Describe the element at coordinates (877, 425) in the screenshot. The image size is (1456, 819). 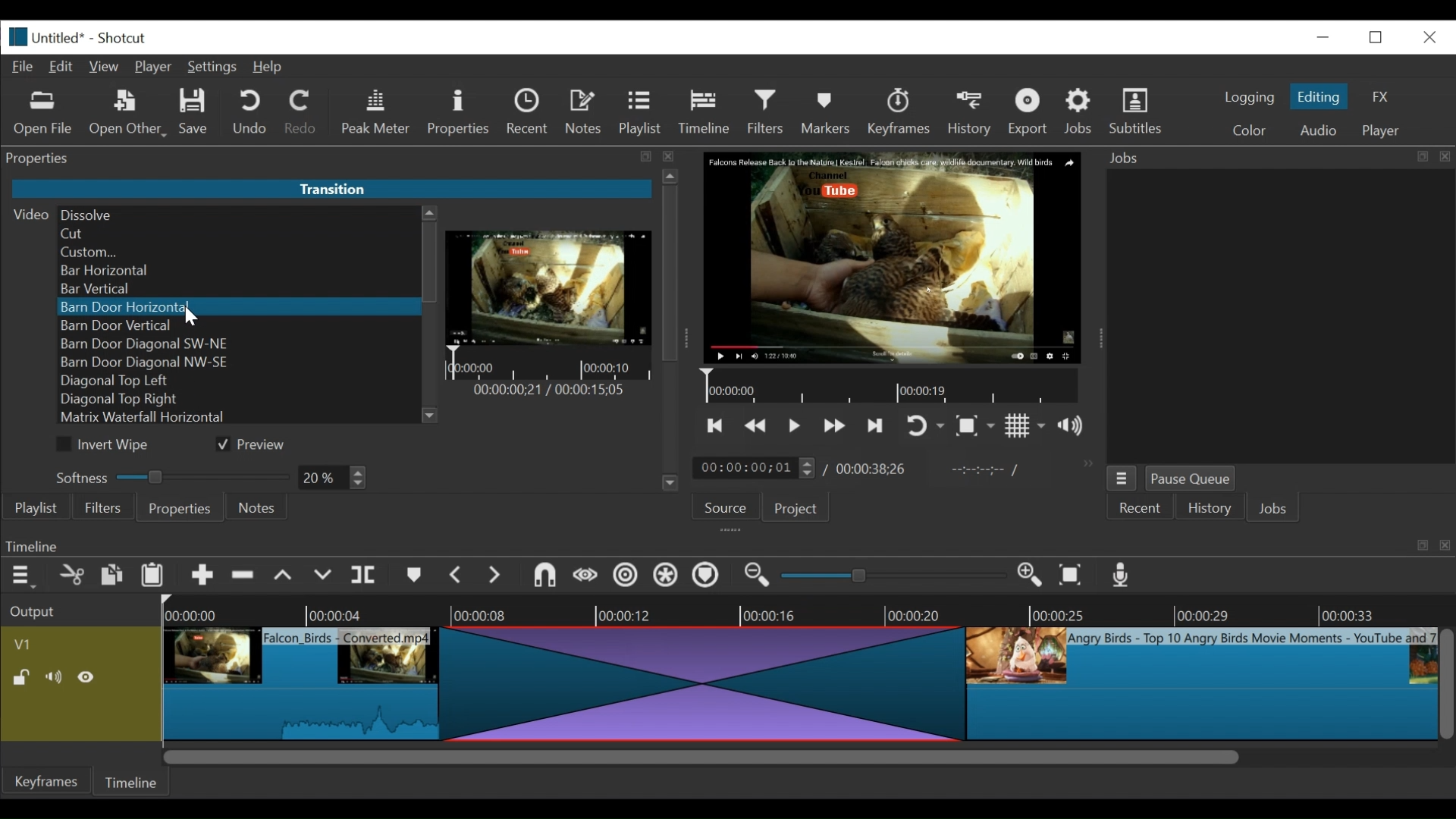
I see `skip to the next point` at that location.